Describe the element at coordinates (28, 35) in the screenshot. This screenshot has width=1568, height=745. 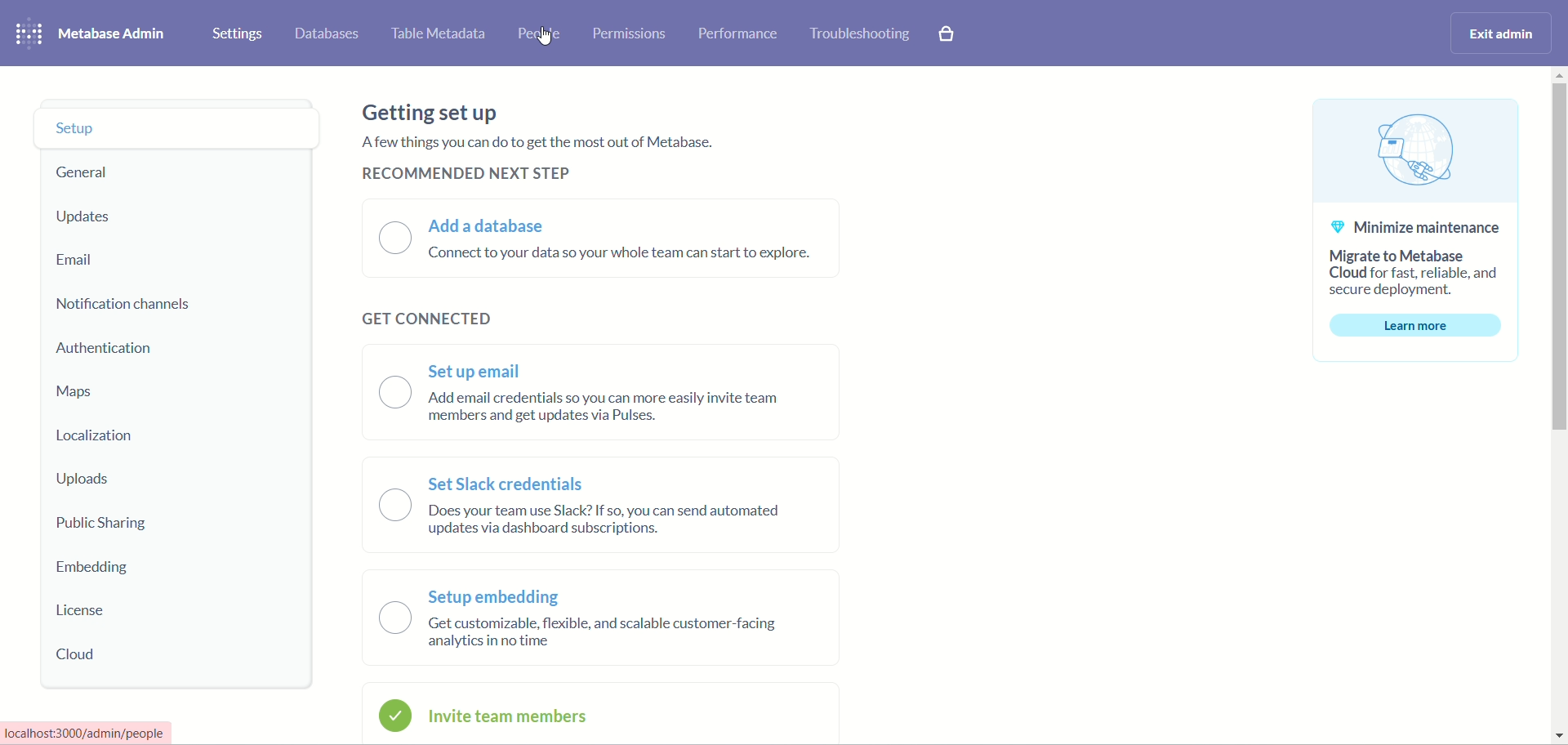
I see `logo` at that location.